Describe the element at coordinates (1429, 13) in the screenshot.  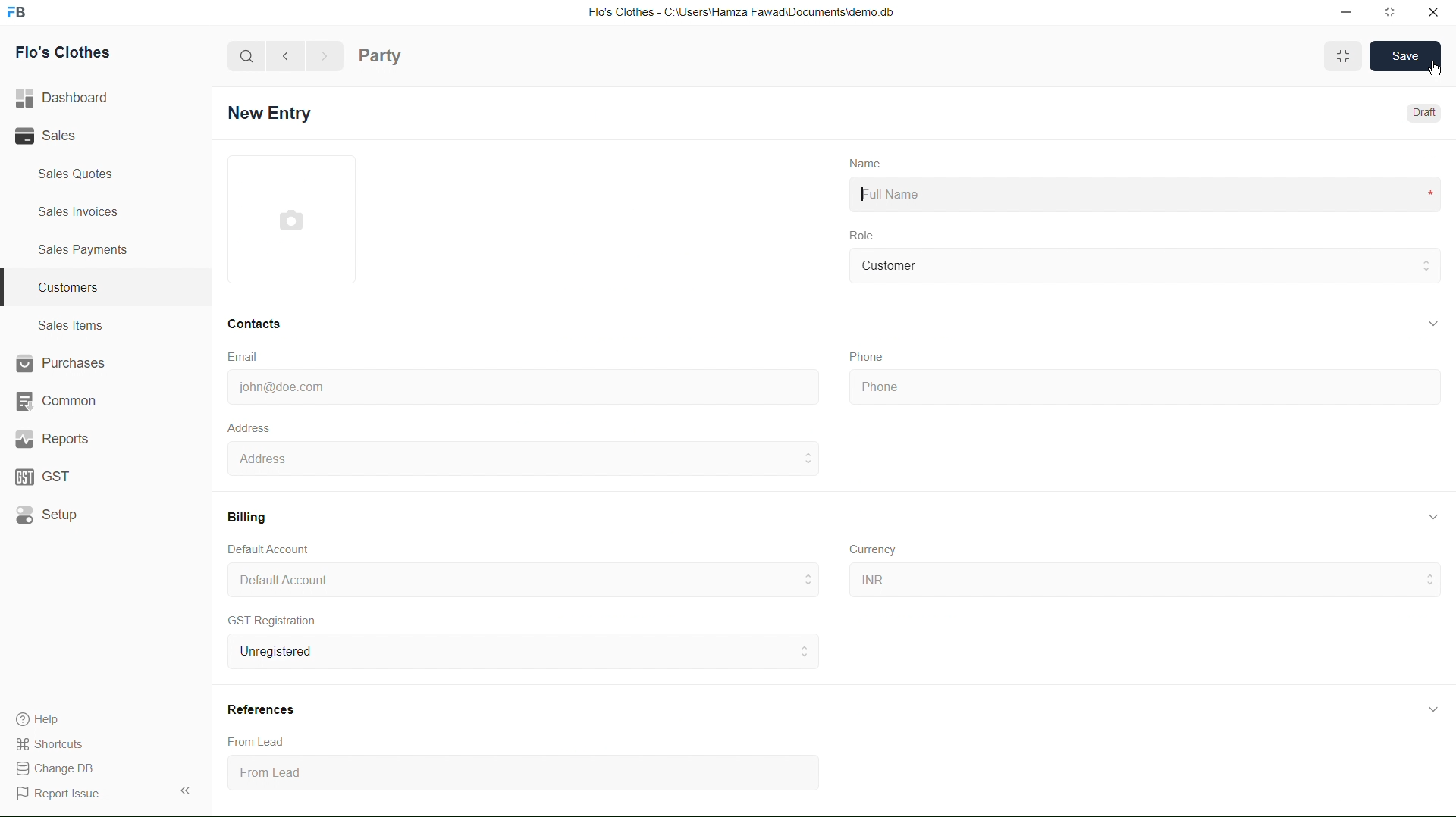
I see `close` at that location.